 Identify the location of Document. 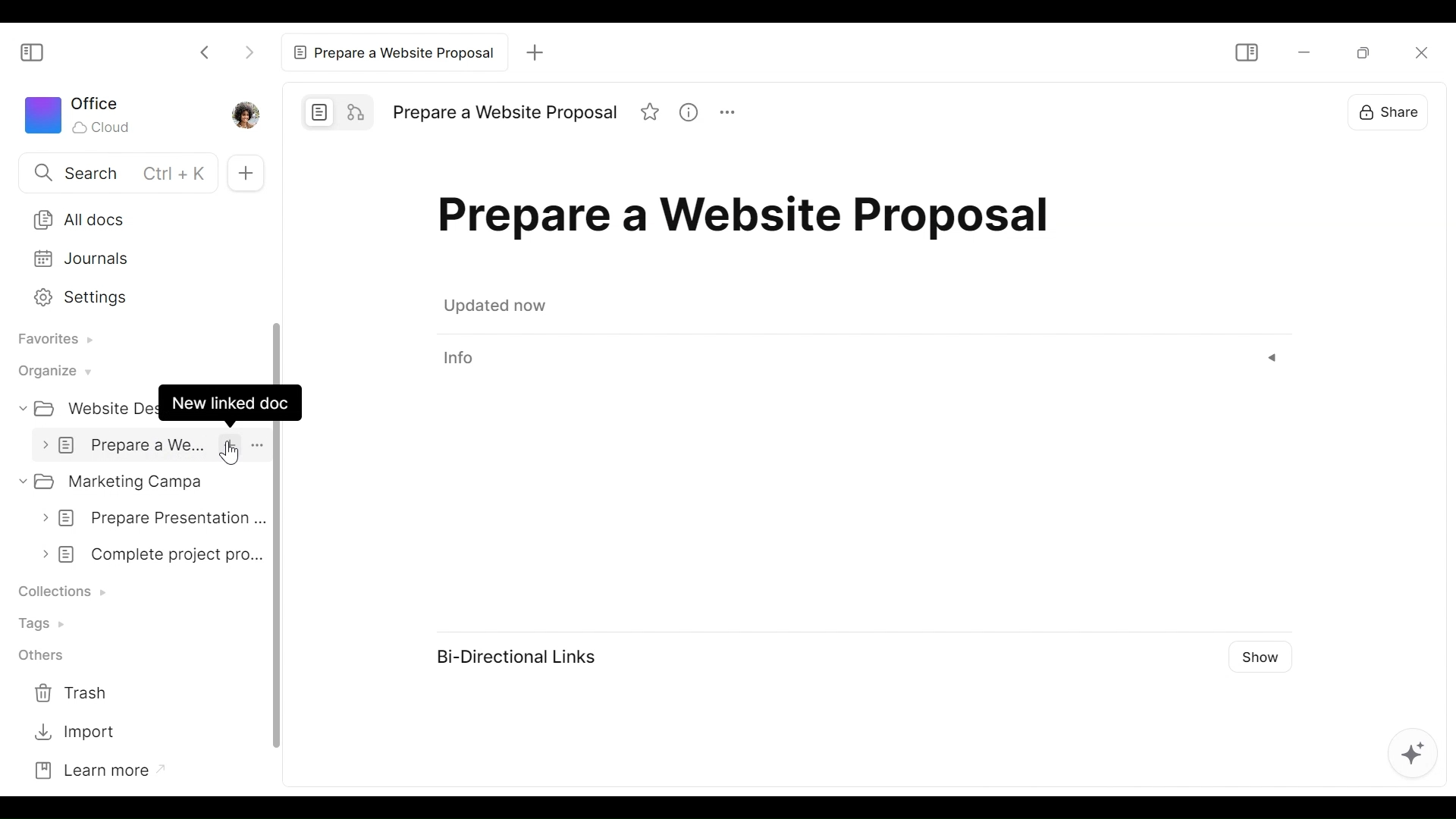
(147, 519).